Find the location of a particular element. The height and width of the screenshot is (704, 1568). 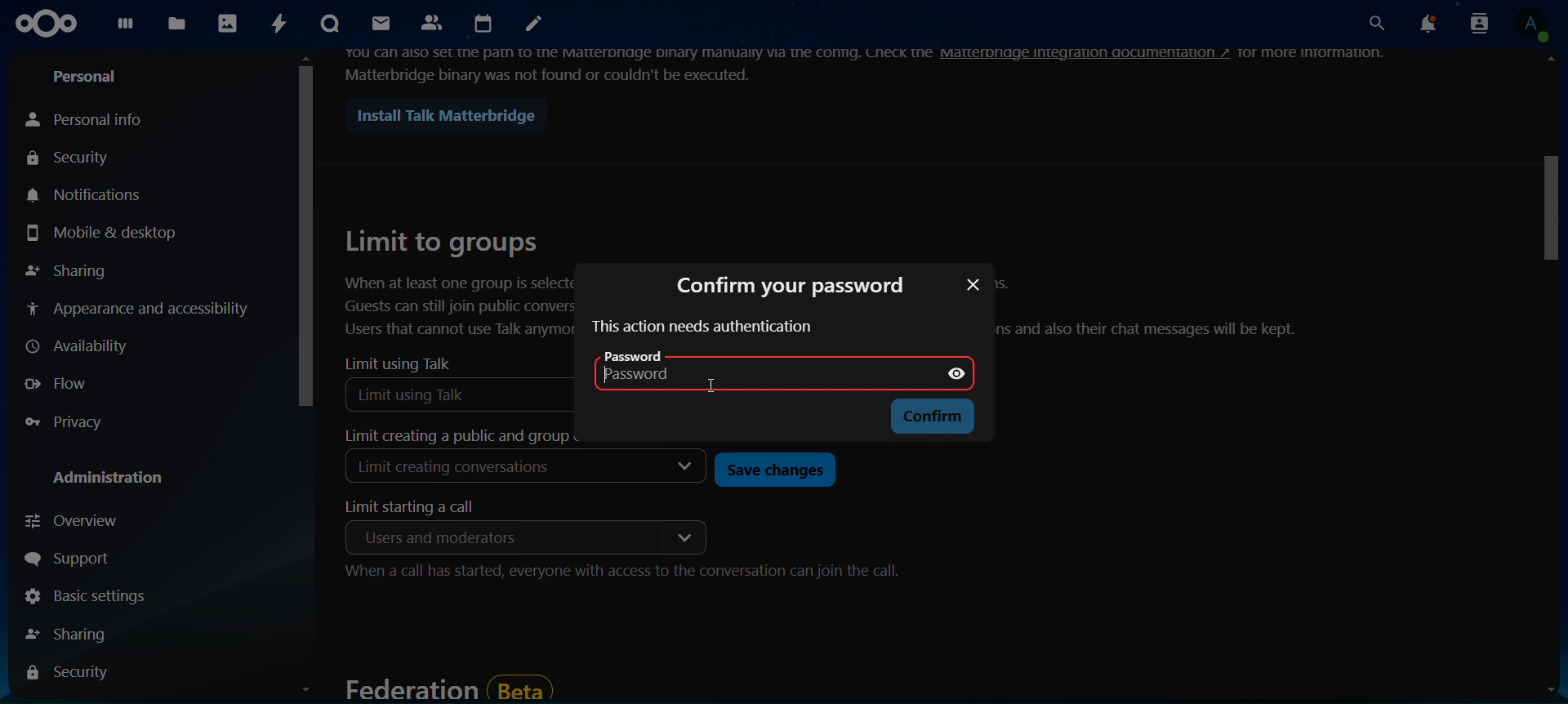

limit to groups is located at coordinates (457, 282).